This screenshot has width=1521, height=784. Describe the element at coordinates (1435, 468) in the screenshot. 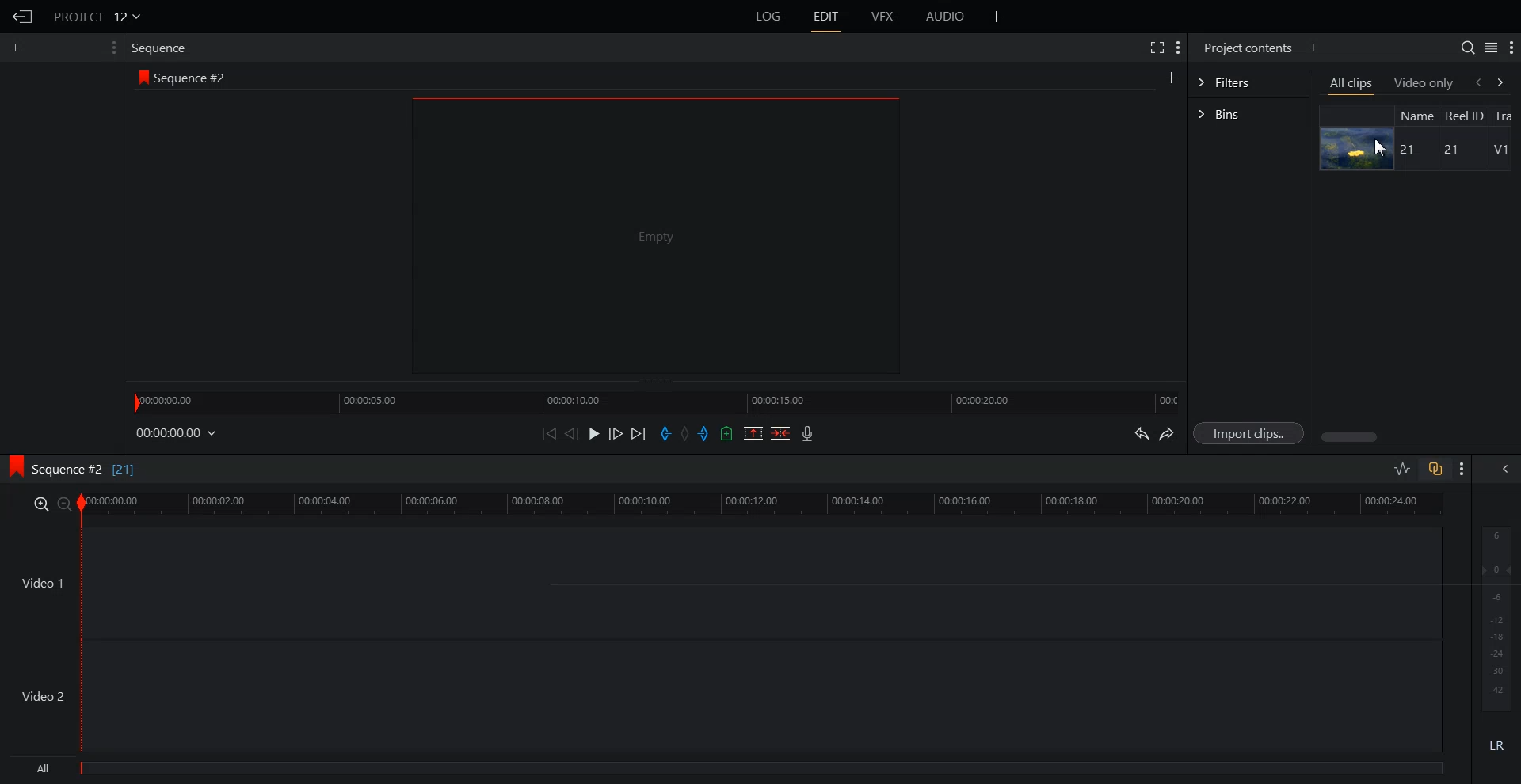

I see `Toggle auto track sync` at that location.